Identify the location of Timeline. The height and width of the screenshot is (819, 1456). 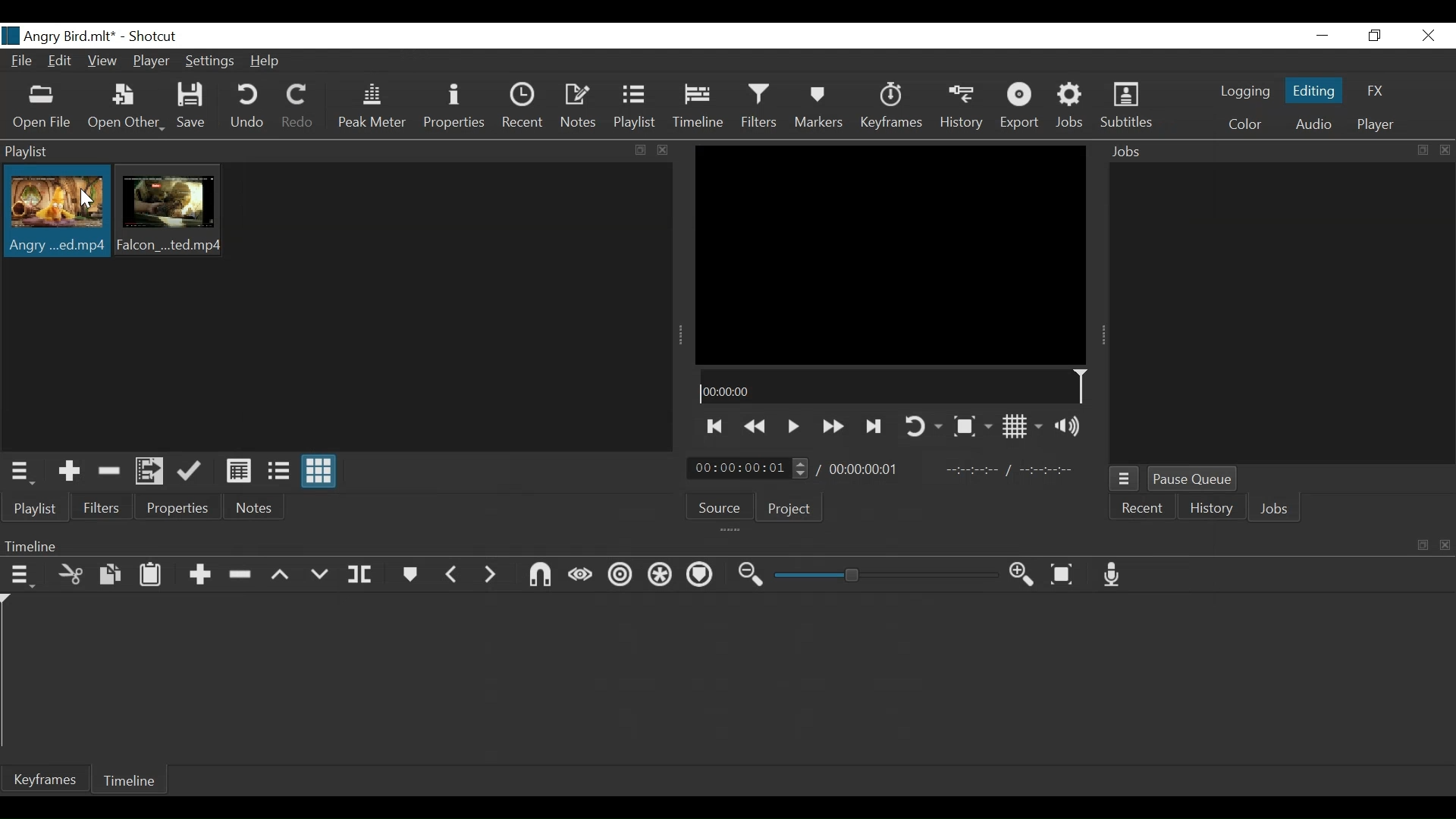
(699, 106).